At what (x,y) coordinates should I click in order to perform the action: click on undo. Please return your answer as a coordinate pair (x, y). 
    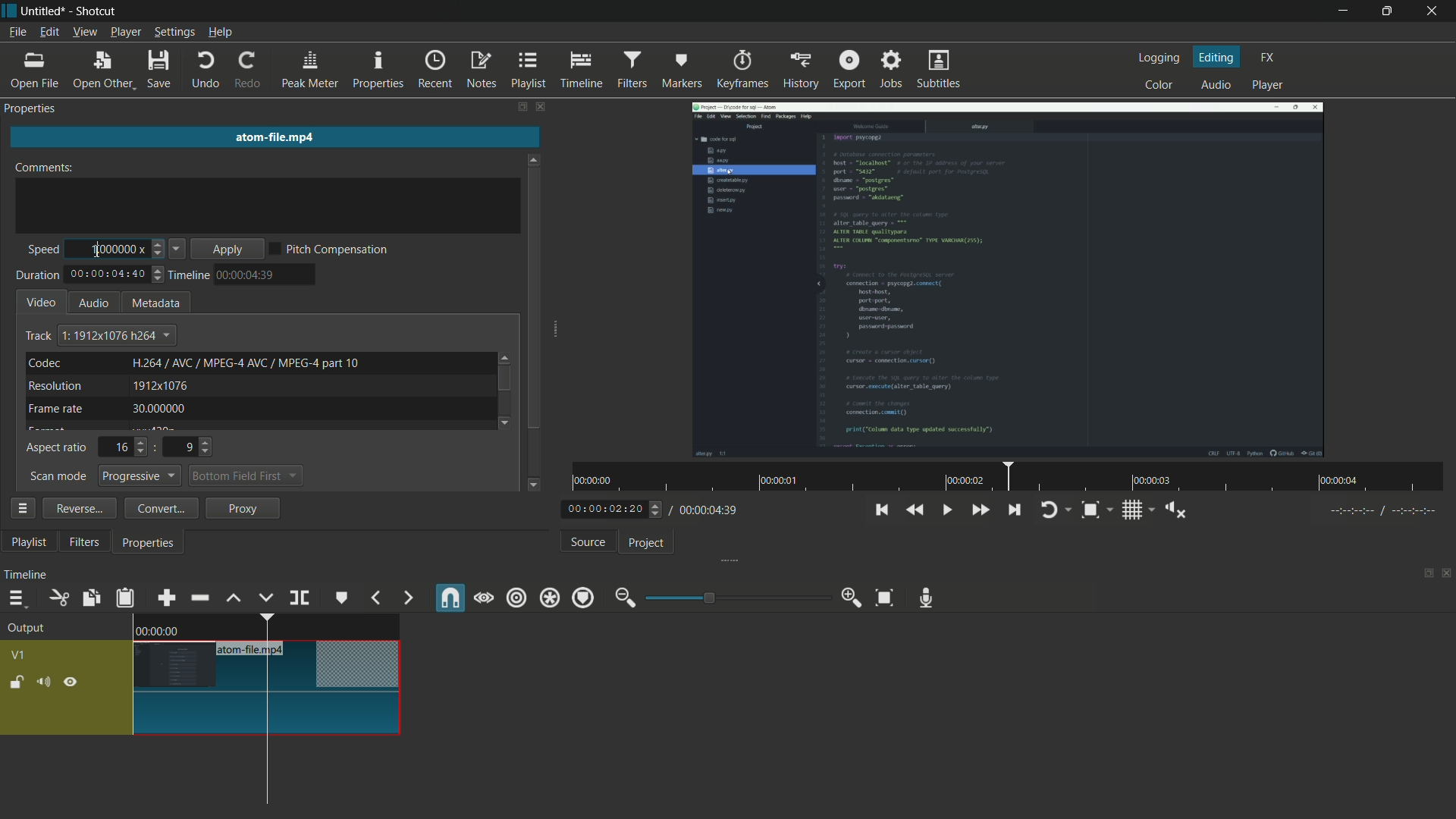
    Looking at the image, I should click on (206, 71).